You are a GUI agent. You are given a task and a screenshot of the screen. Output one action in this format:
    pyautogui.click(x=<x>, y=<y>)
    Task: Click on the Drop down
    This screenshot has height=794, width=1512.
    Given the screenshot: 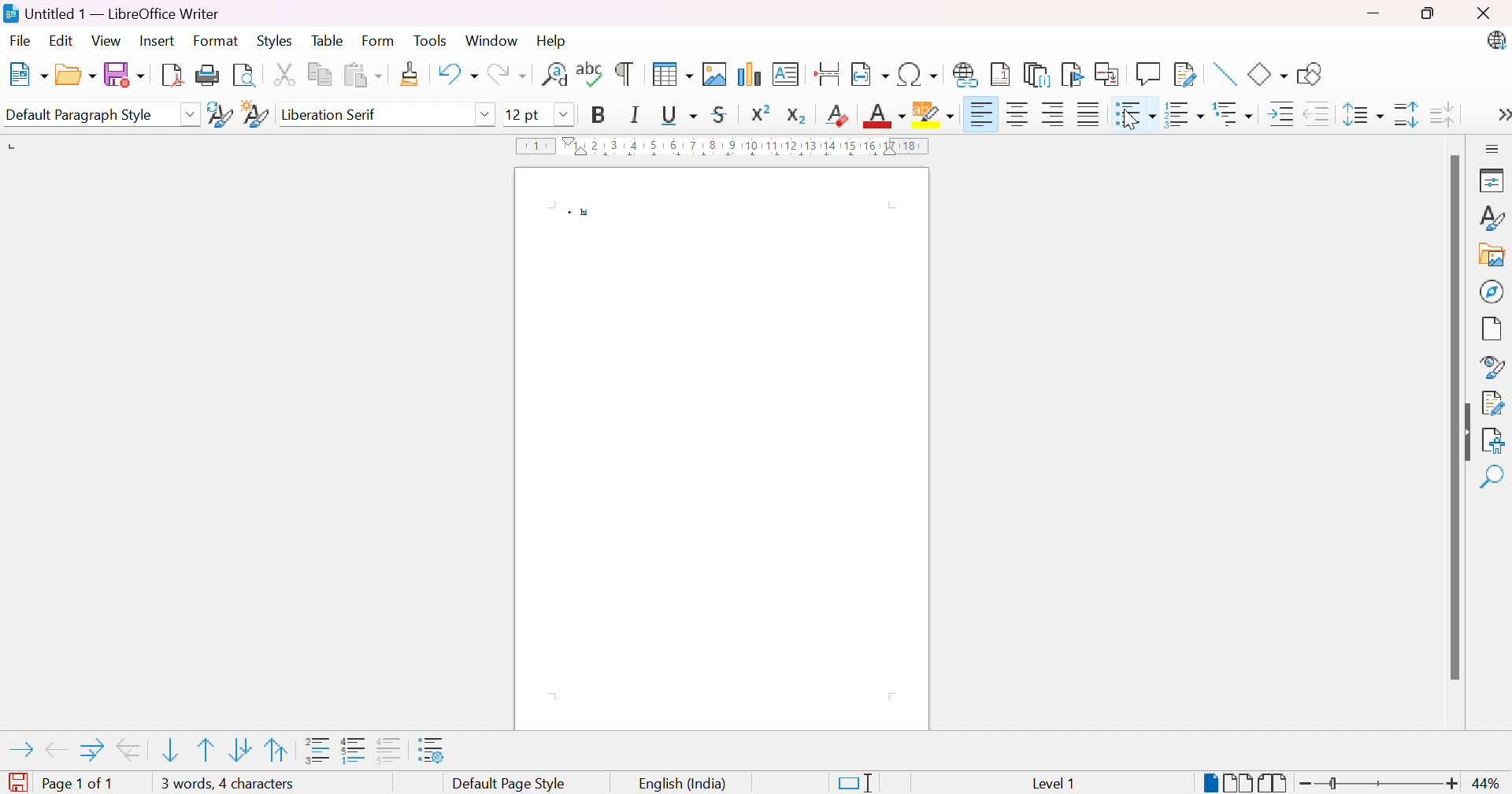 What is the action you would take?
    pyautogui.click(x=190, y=113)
    